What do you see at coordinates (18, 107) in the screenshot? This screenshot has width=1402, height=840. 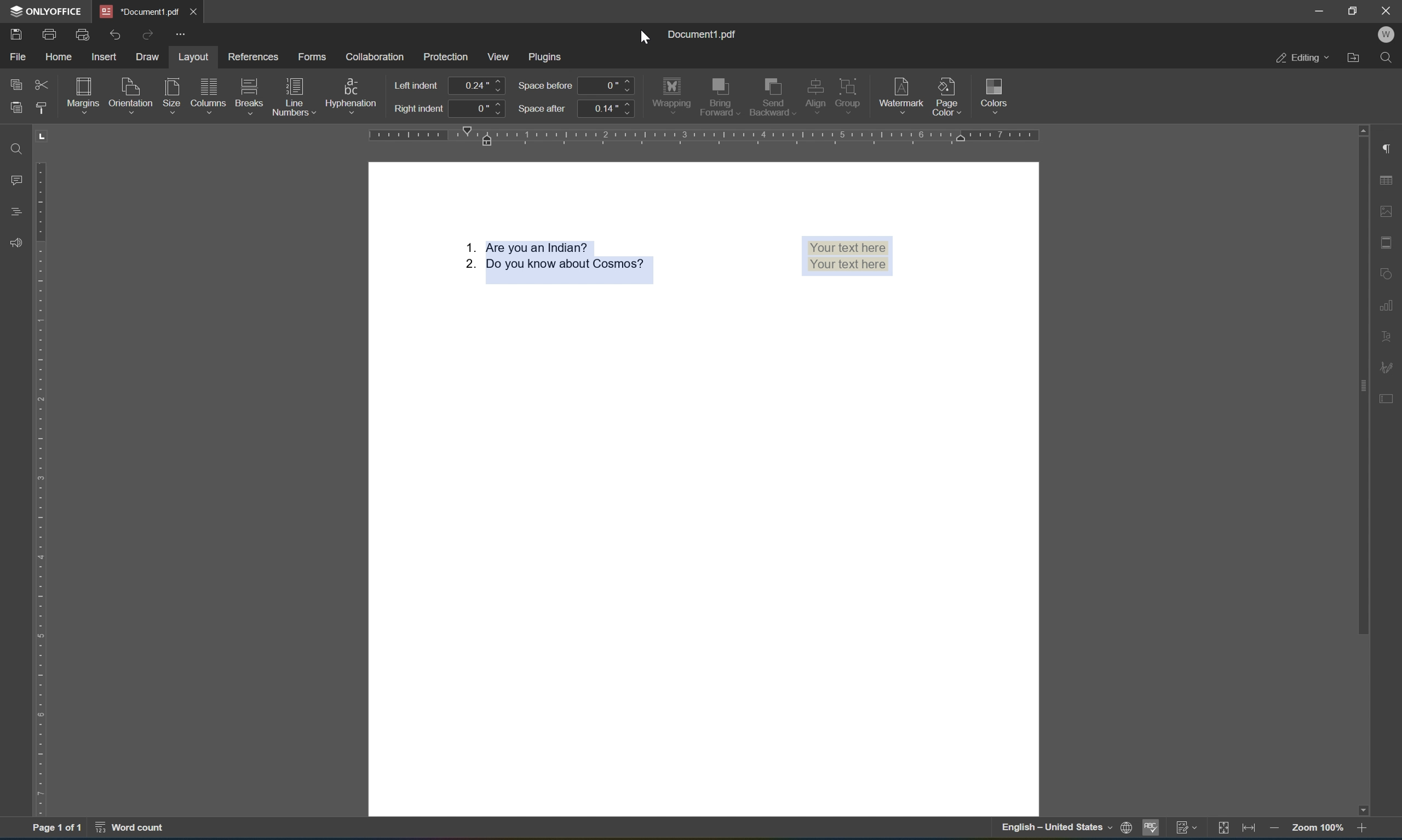 I see `paste` at bounding box center [18, 107].